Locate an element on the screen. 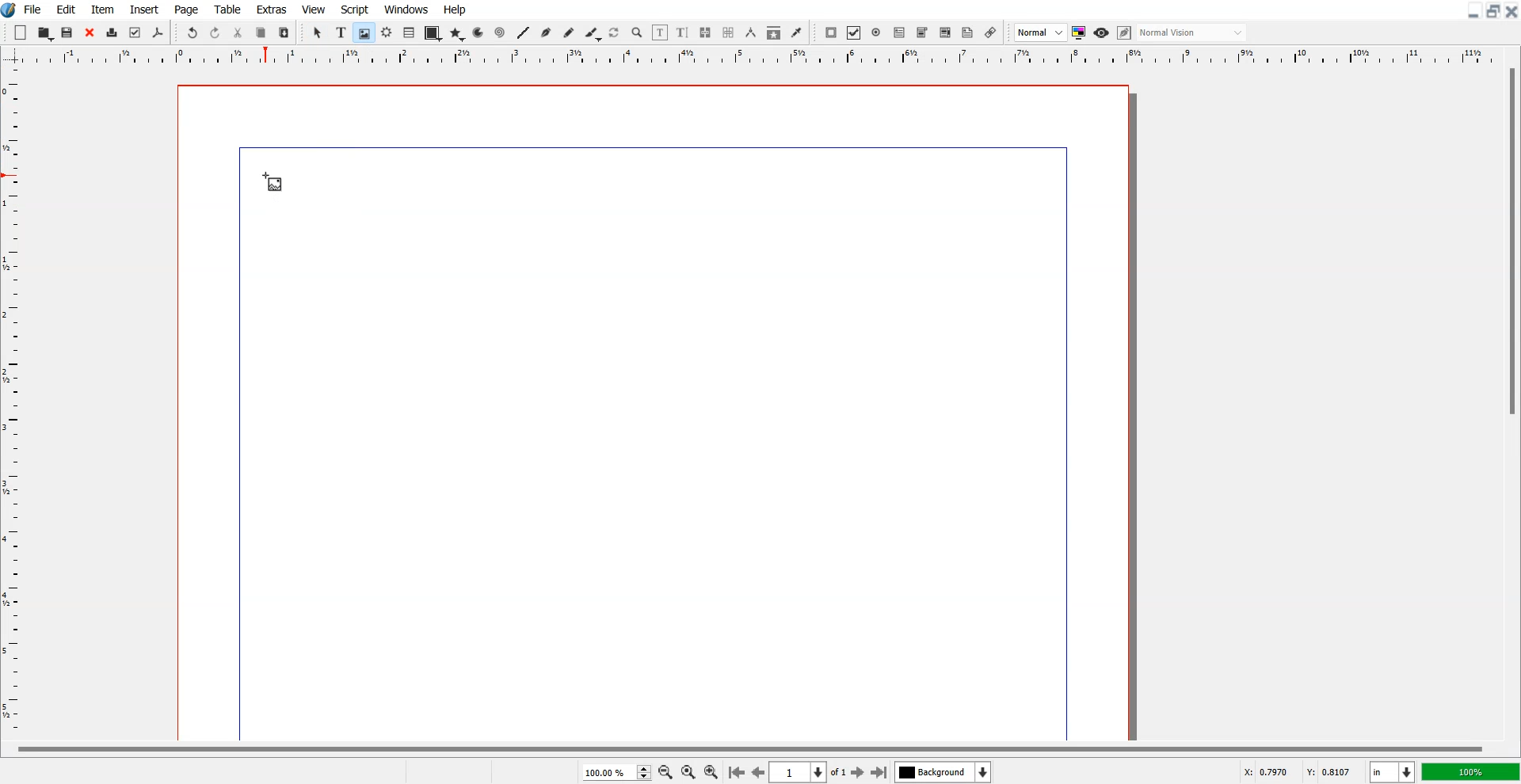 This screenshot has width=1521, height=784. PDF Text Field is located at coordinates (899, 32).